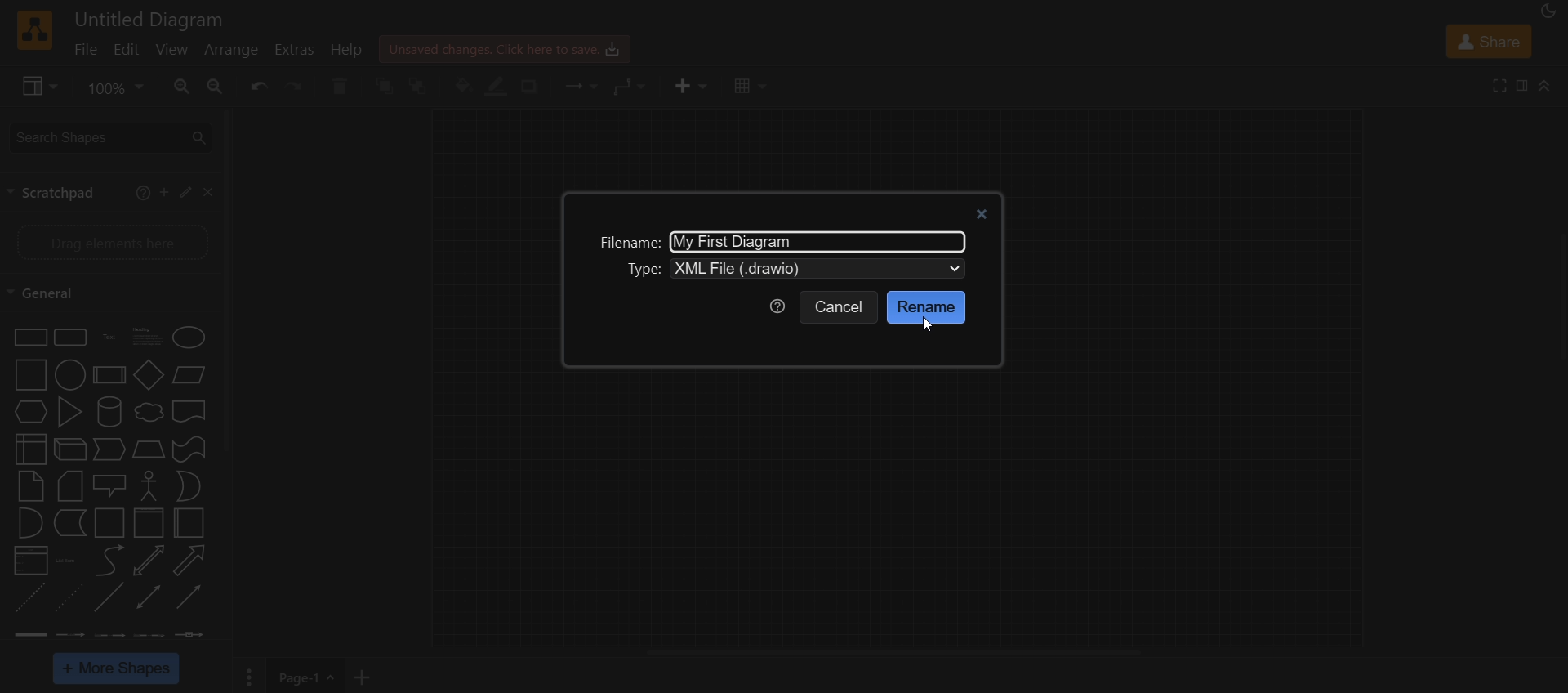 The height and width of the screenshot is (693, 1568). I want to click on view, so click(35, 86).